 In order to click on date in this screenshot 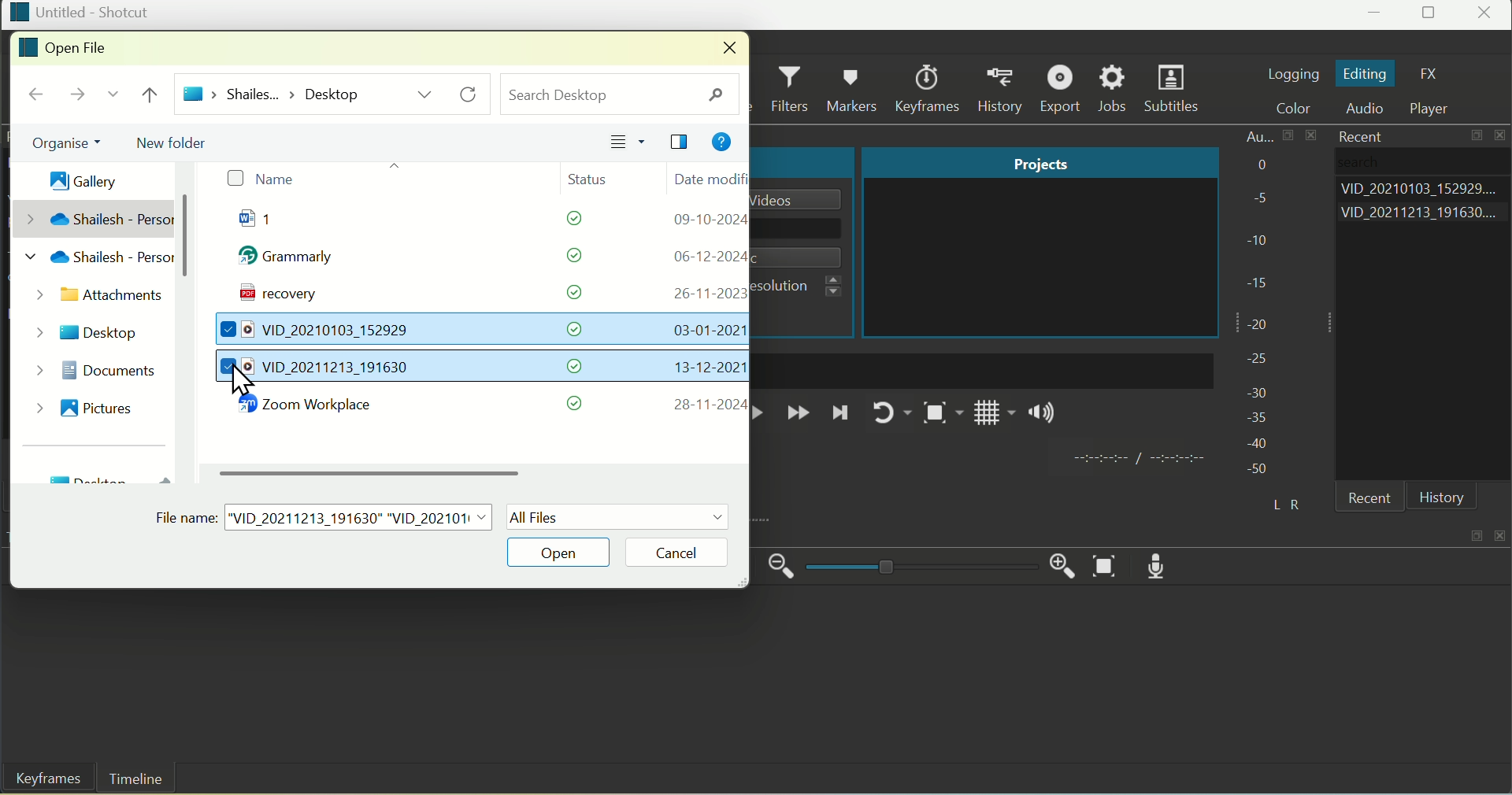, I will do `click(703, 368)`.